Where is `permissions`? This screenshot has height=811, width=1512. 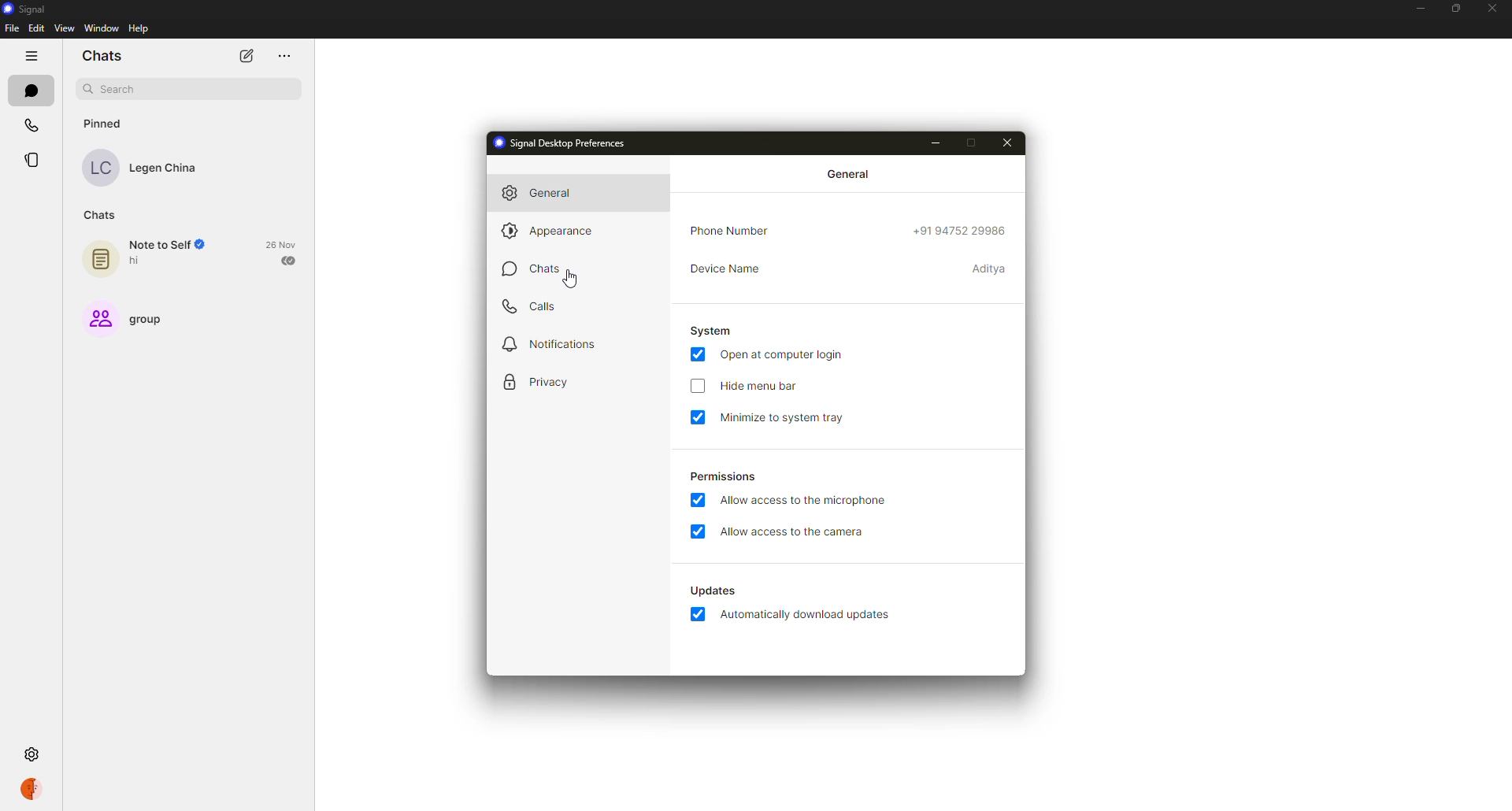
permissions is located at coordinates (724, 476).